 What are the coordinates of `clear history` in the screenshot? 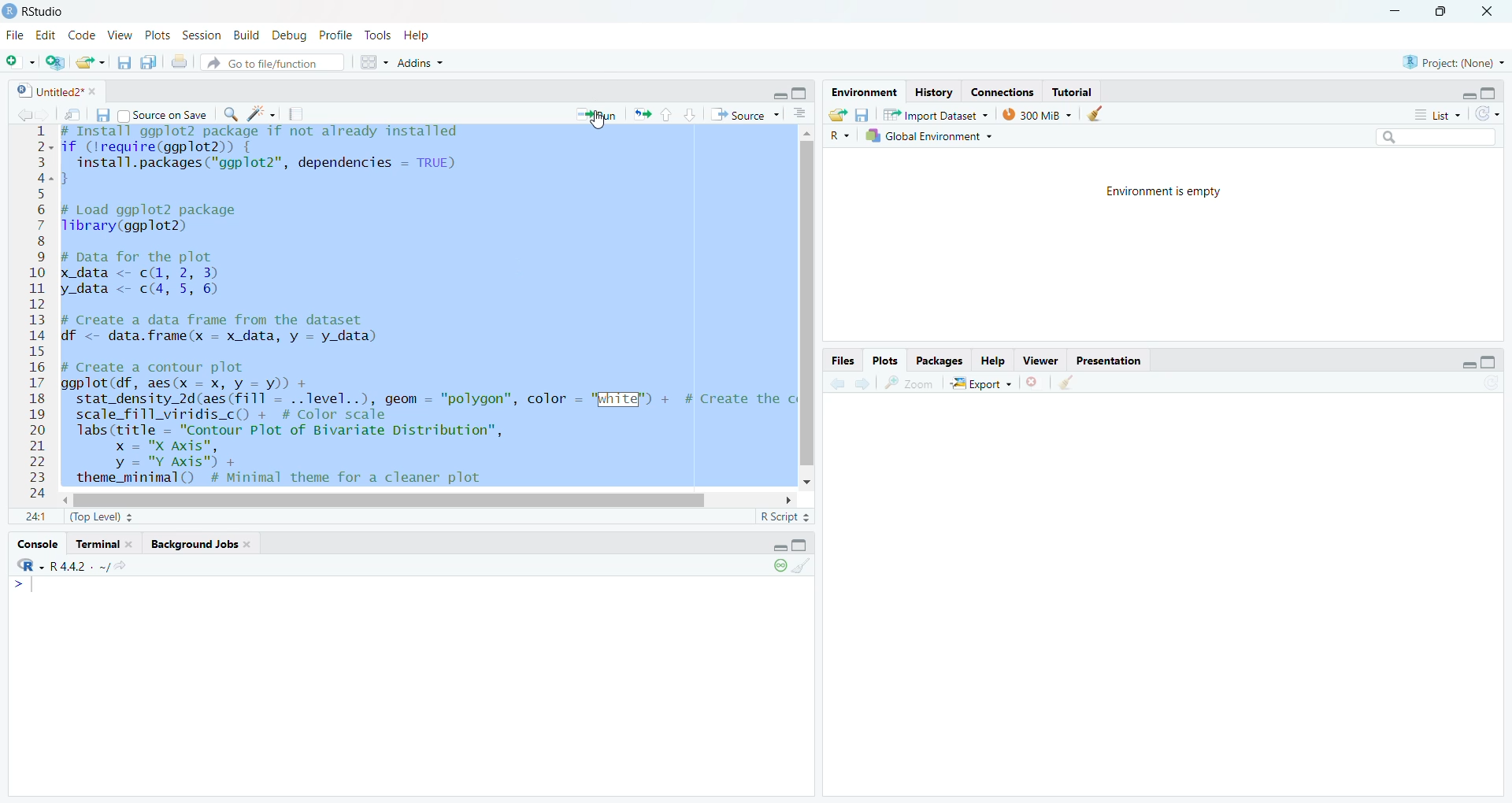 It's located at (1102, 113).